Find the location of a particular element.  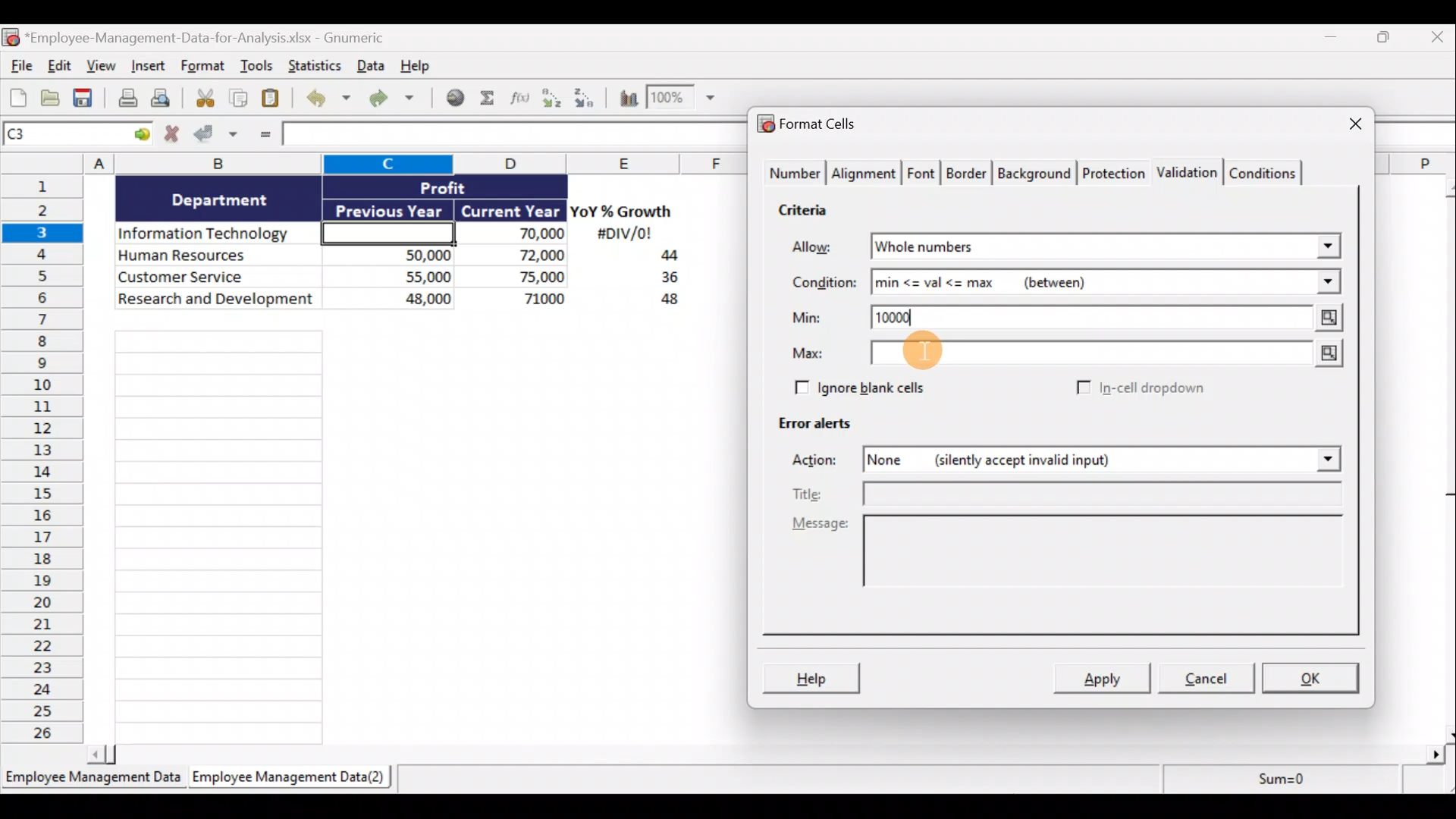

Research and development is located at coordinates (217, 300).